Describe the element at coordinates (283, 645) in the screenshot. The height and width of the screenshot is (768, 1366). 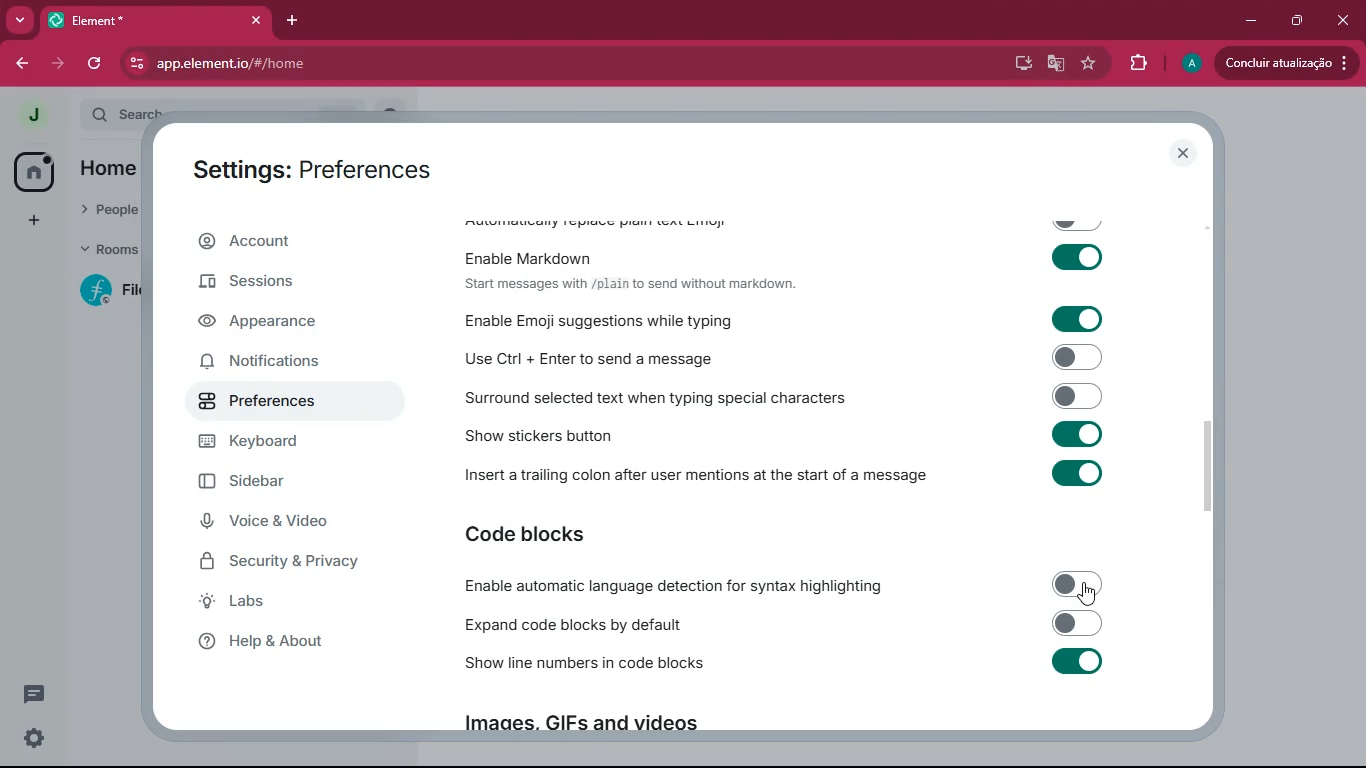
I see `help` at that location.